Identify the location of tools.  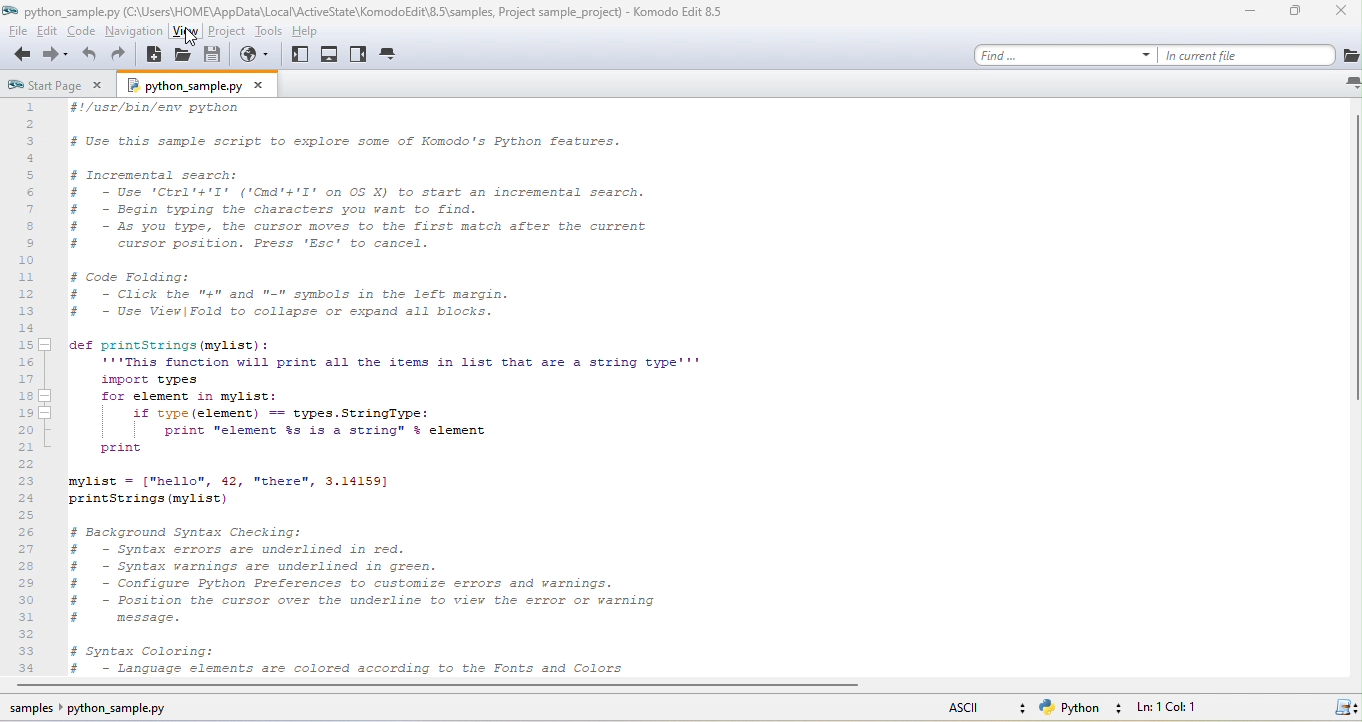
(277, 34).